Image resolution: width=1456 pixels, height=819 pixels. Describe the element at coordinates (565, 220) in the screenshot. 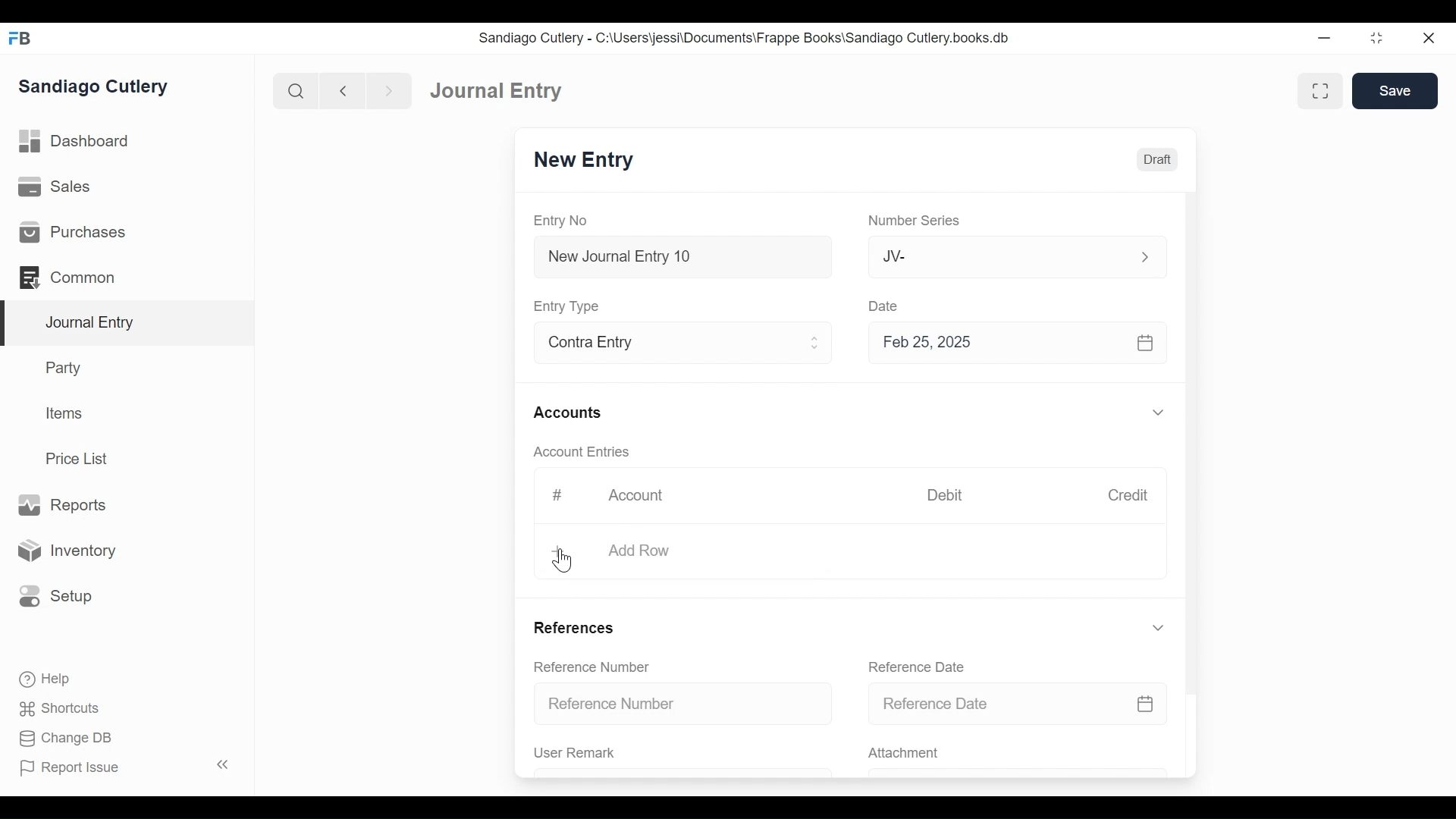

I see `Entry No` at that location.